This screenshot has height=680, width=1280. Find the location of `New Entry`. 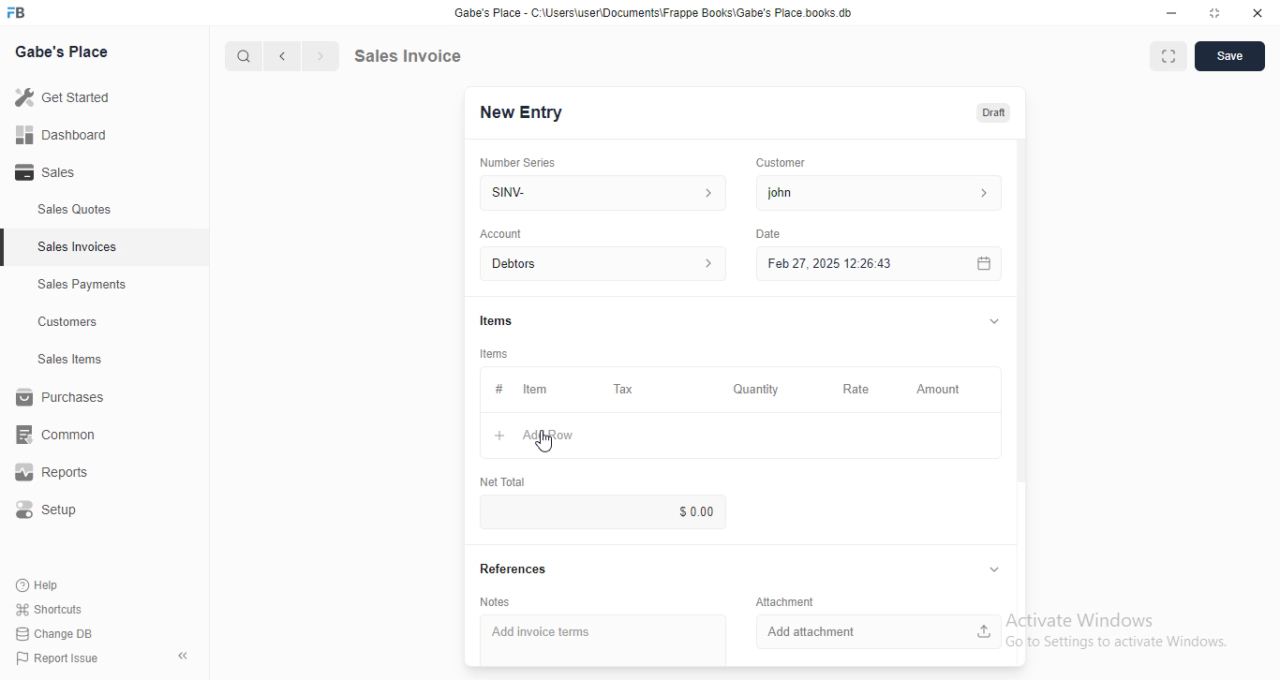

New Entry is located at coordinates (523, 113).